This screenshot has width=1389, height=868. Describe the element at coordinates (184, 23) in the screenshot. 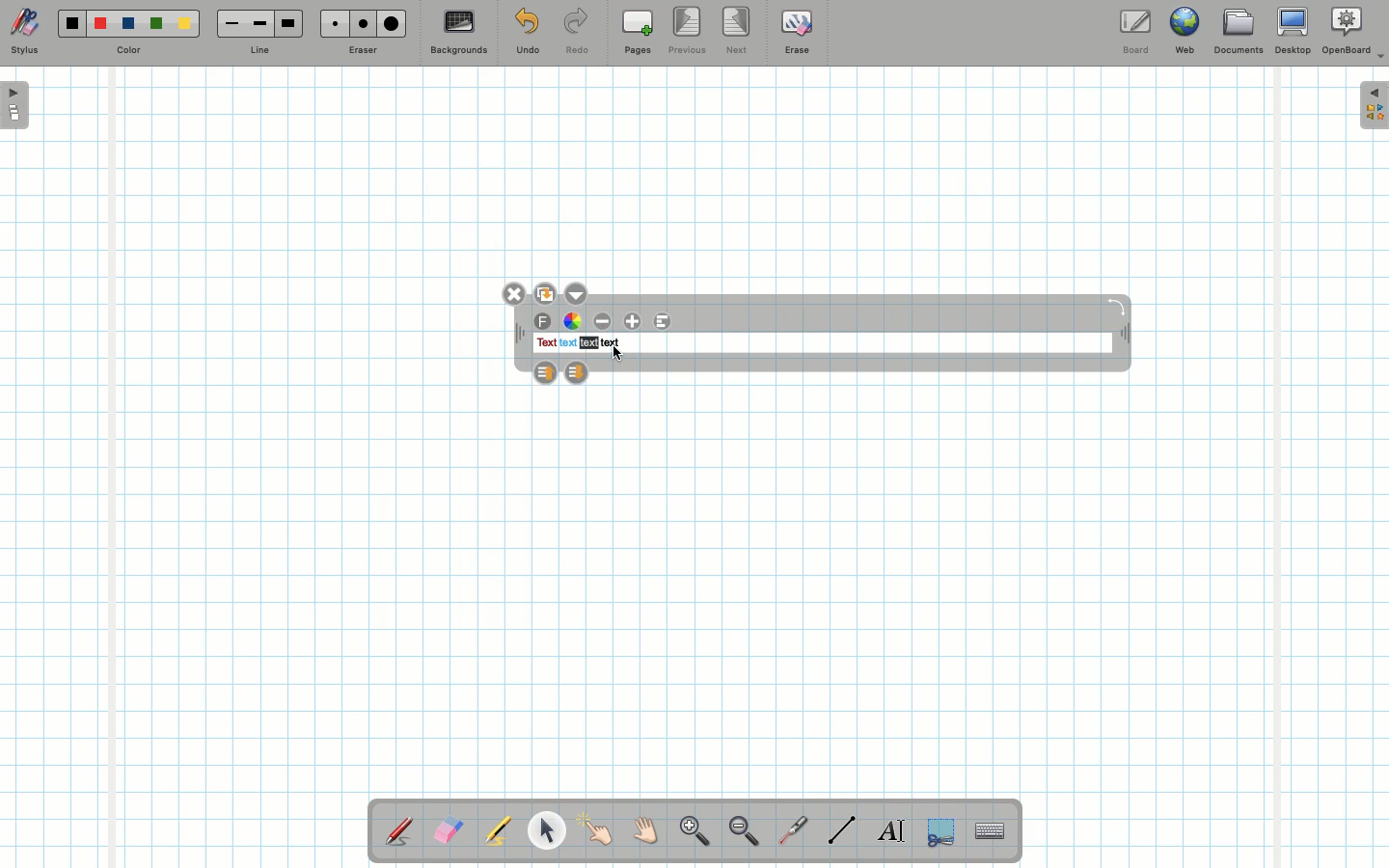

I see `Yellow` at that location.